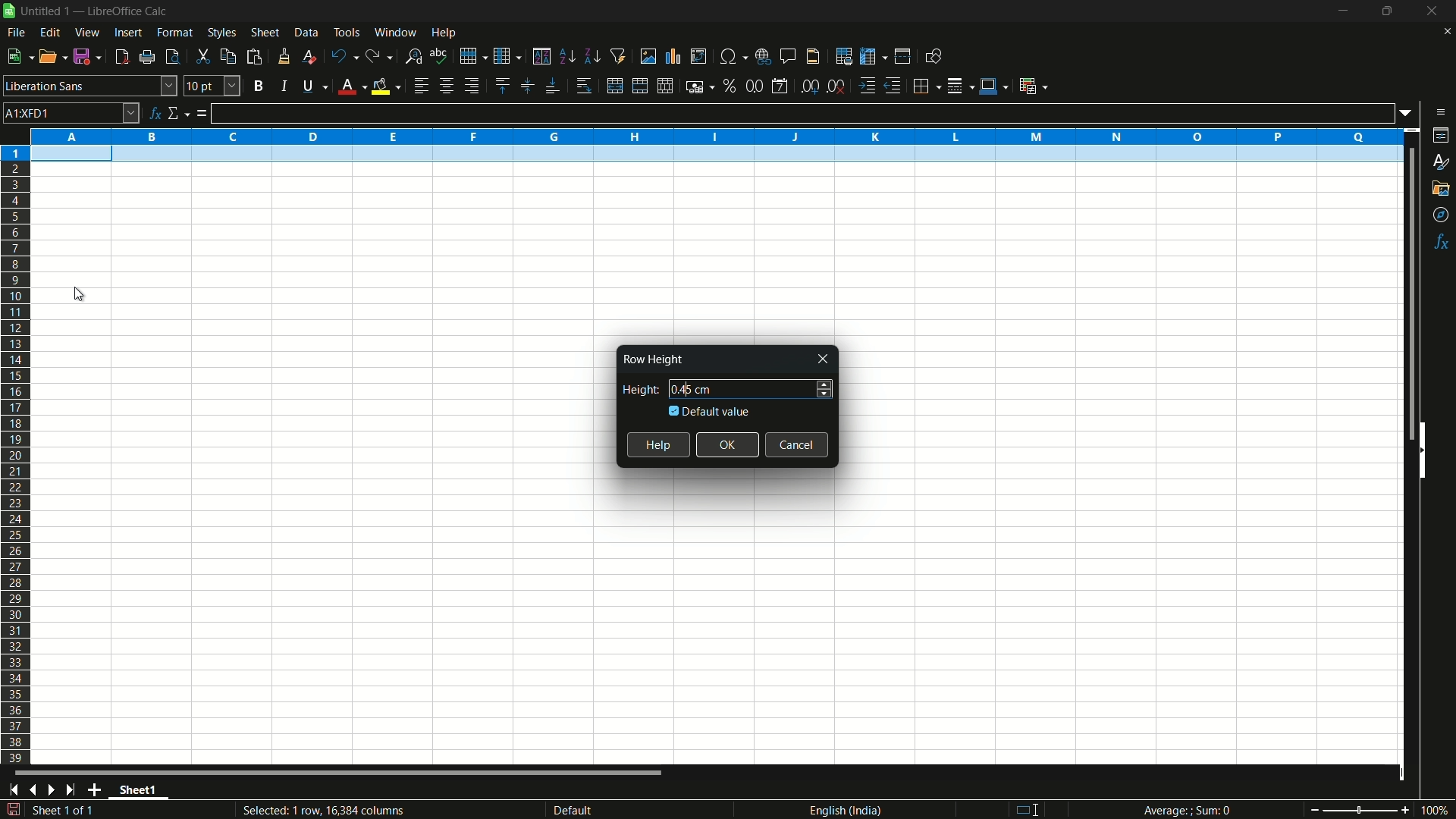 This screenshot has height=819, width=1456. I want to click on close app, so click(1428, 11).